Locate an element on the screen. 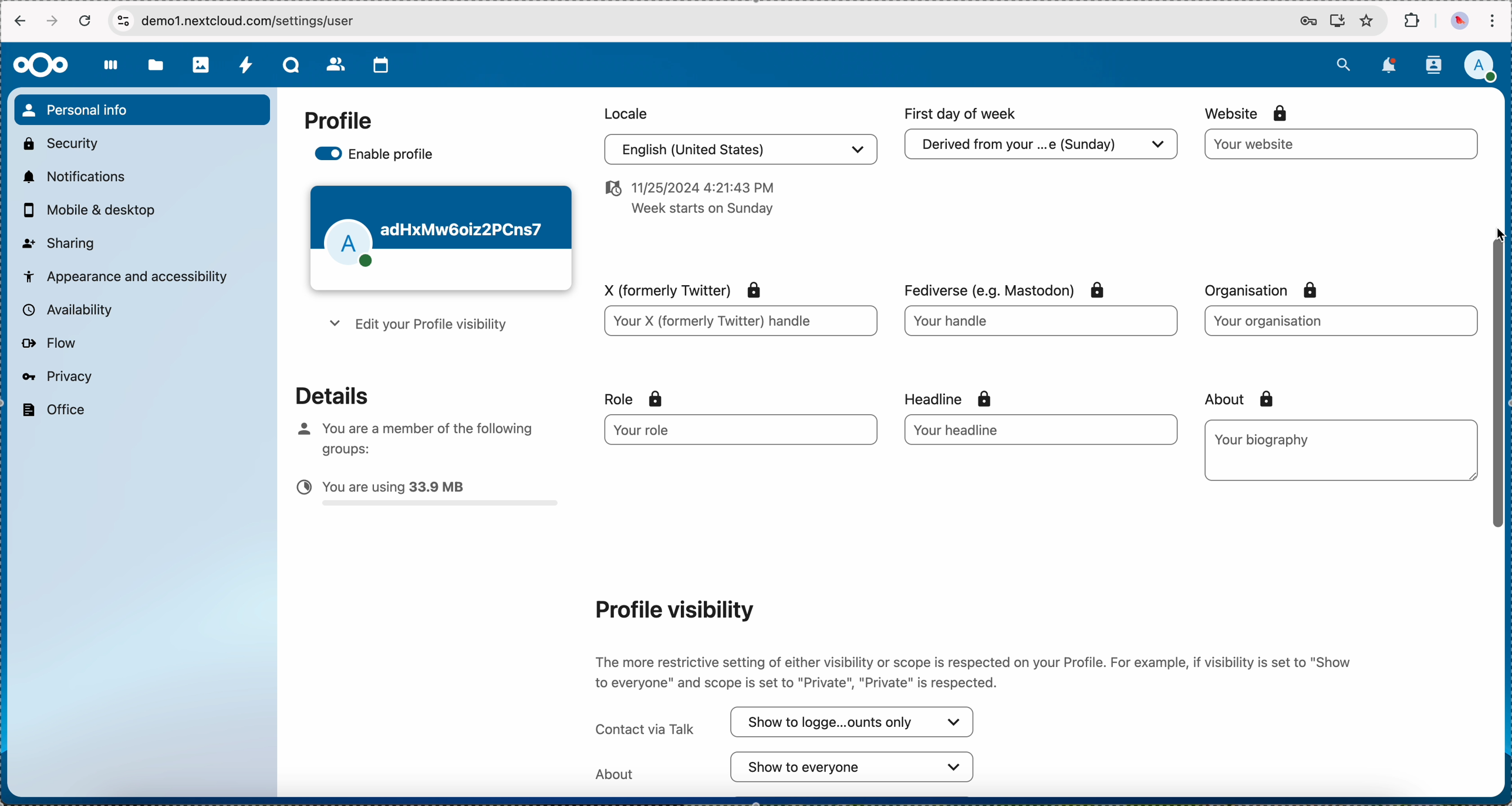 This screenshot has width=1512, height=806. description is located at coordinates (976, 669).